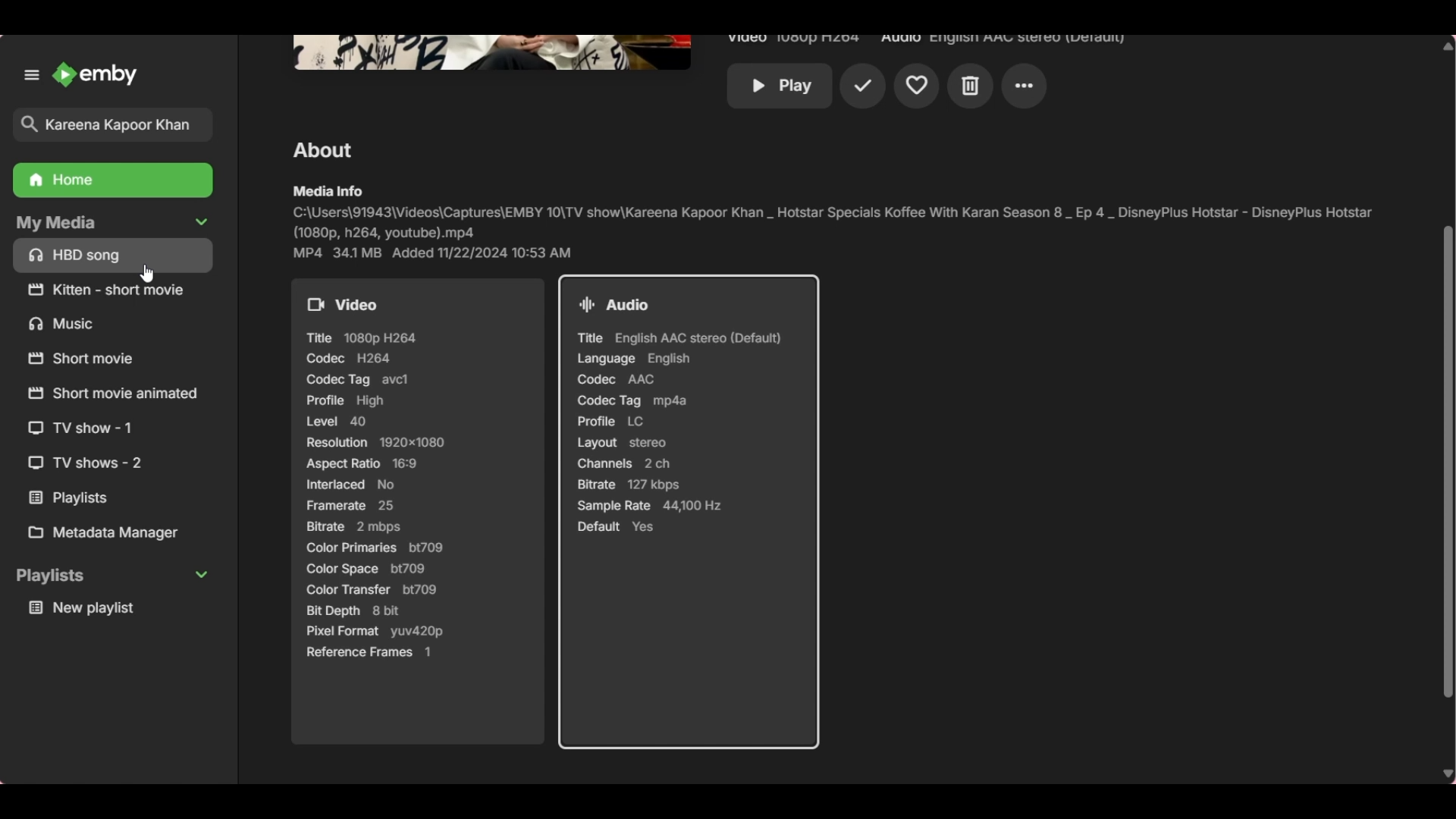  What do you see at coordinates (115, 533) in the screenshot?
I see `Metadata manager` at bounding box center [115, 533].